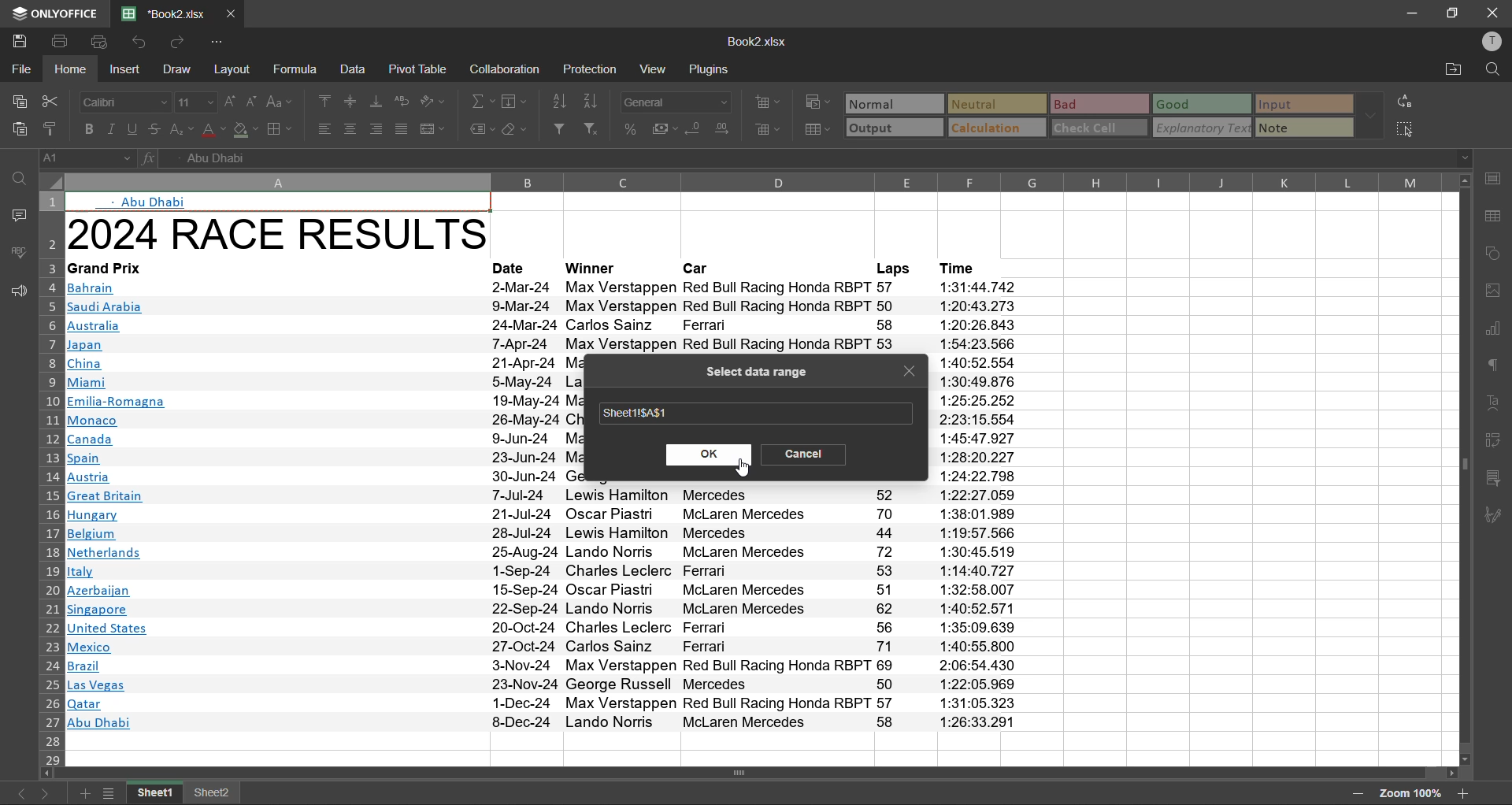 The width and height of the screenshot is (1512, 805). Describe the element at coordinates (24, 254) in the screenshot. I see `spellcheck` at that location.